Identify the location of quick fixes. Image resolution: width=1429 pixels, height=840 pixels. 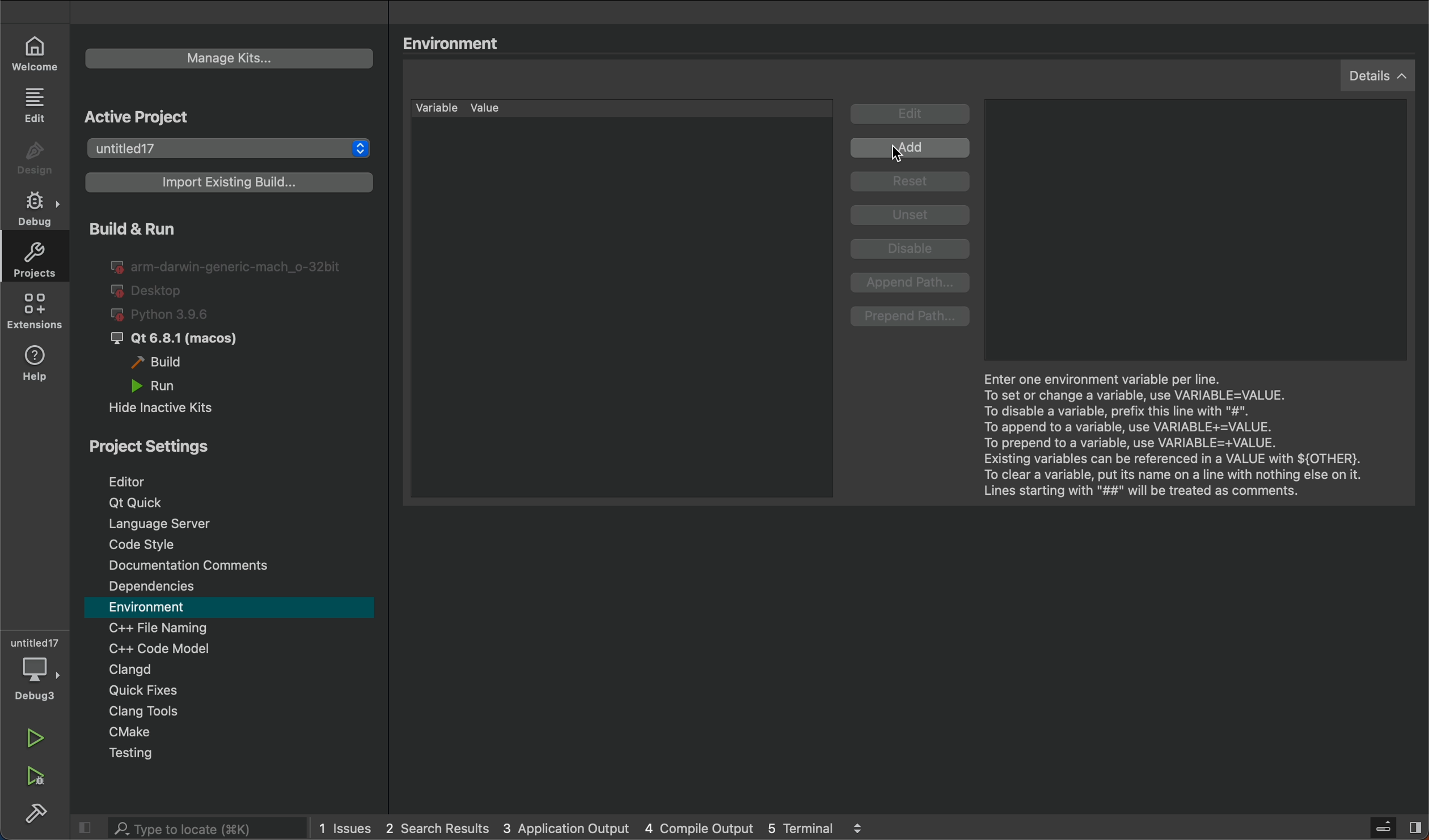
(231, 691).